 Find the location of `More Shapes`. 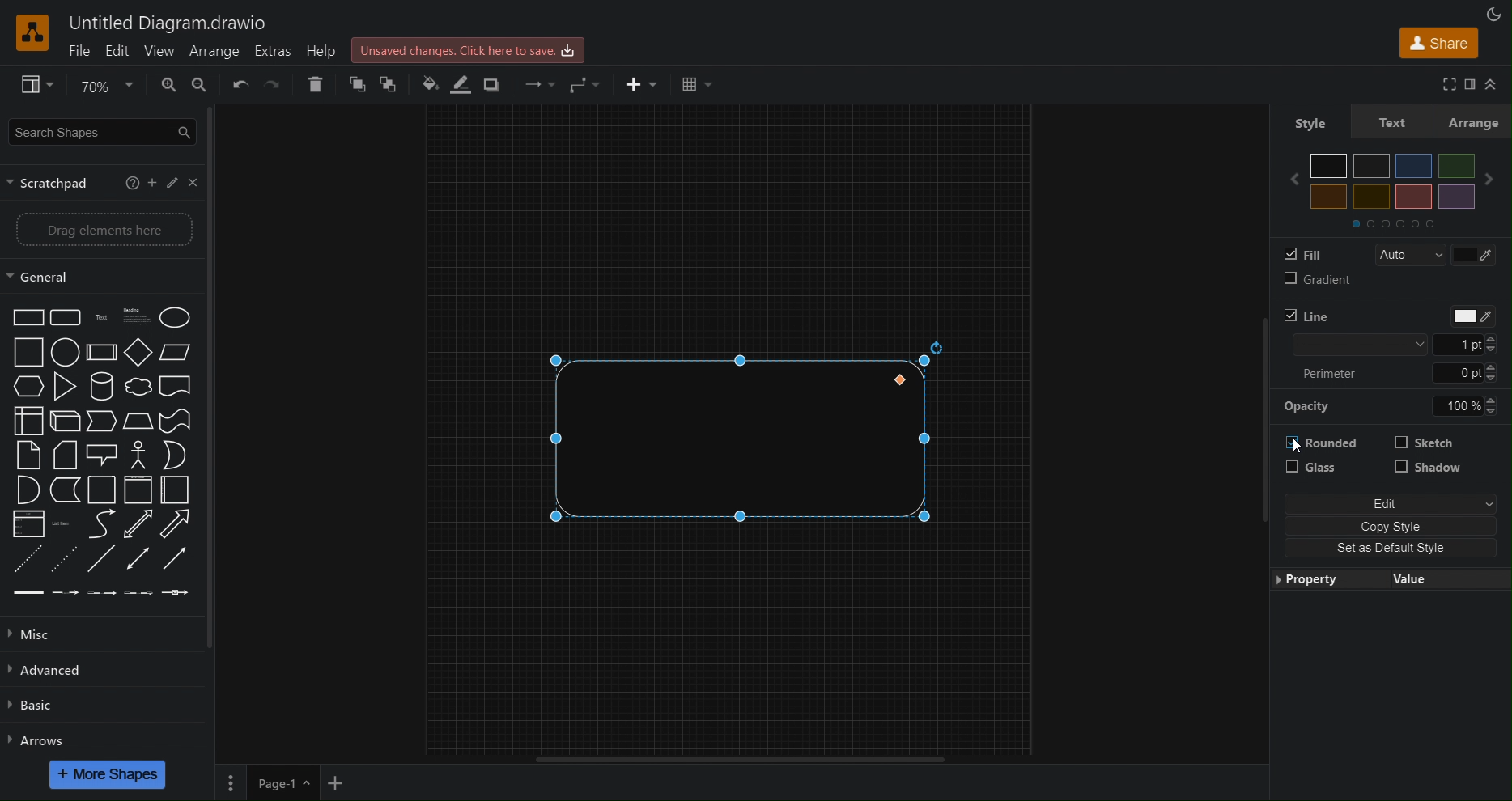

More Shapes is located at coordinates (108, 774).